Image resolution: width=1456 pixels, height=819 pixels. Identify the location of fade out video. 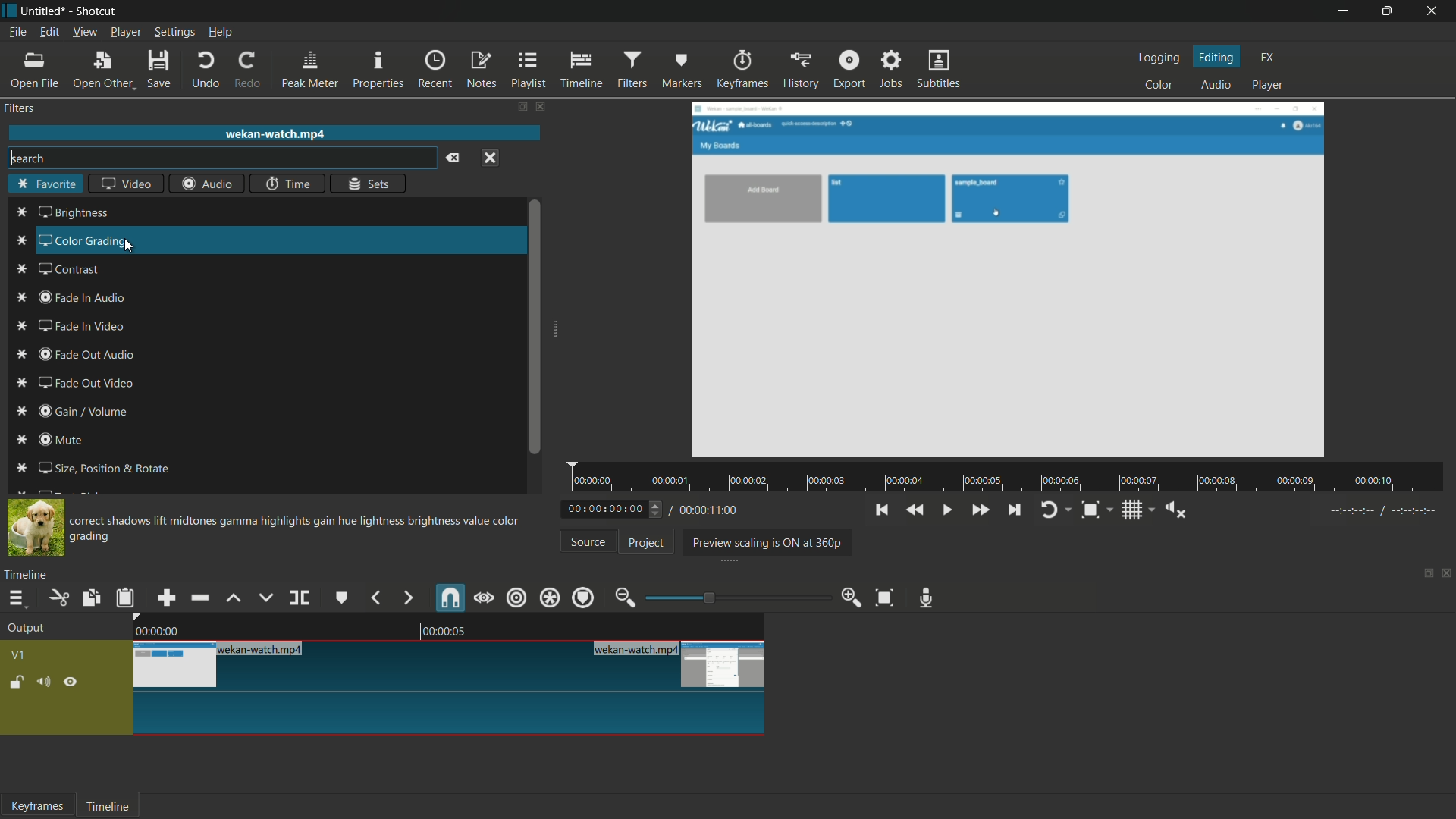
(80, 384).